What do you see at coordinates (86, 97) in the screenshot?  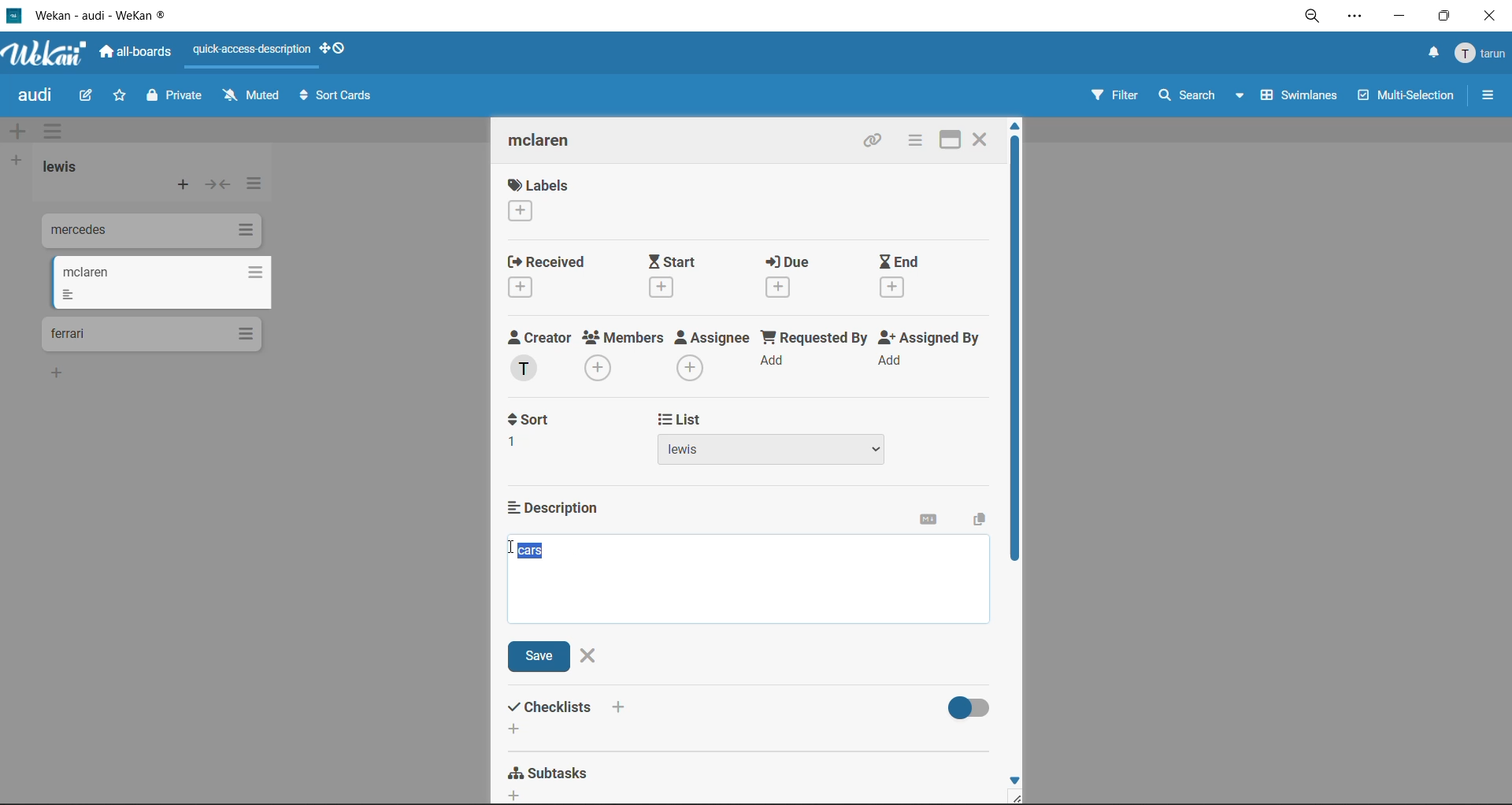 I see `edit` at bounding box center [86, 97].